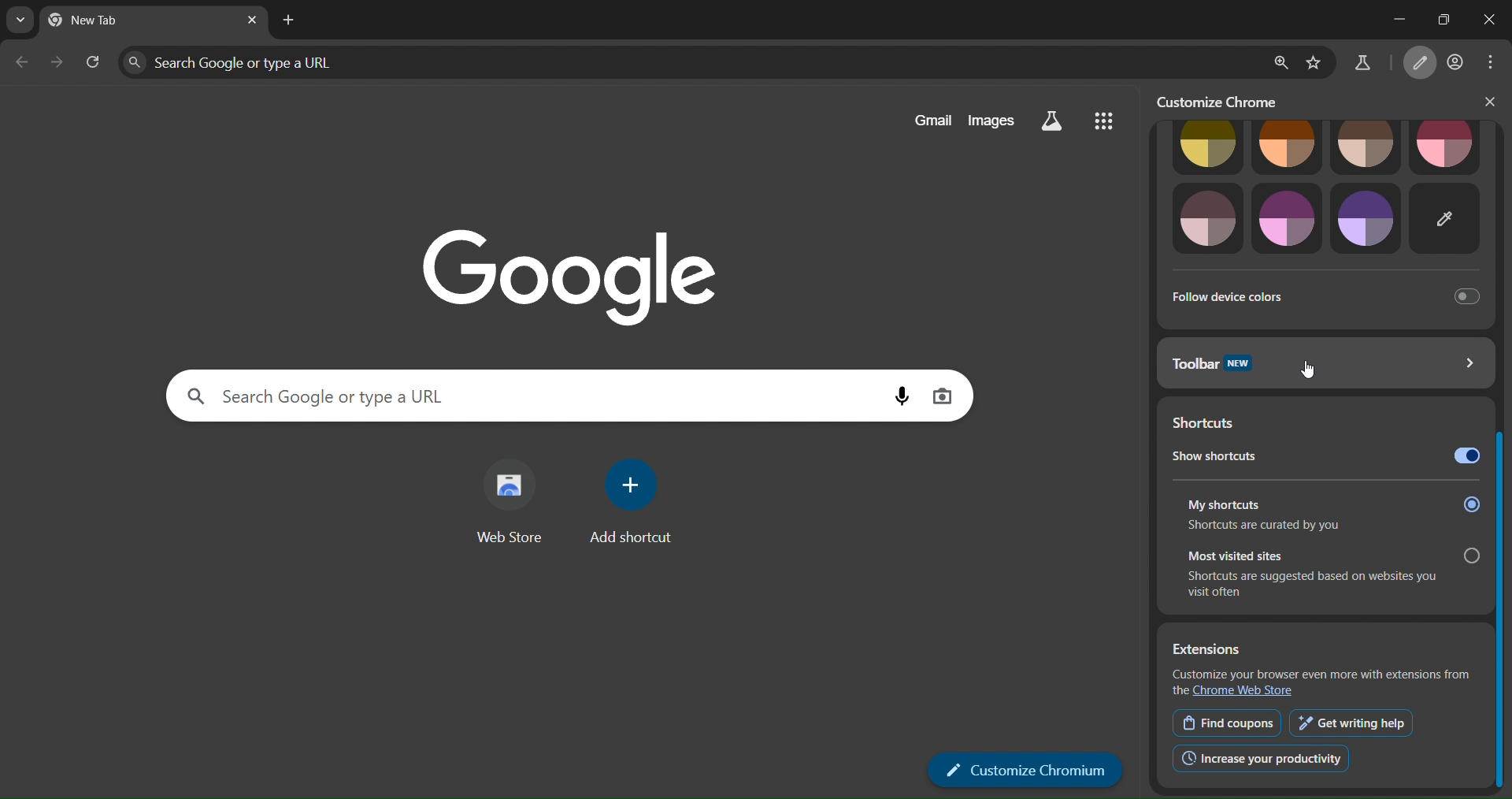 The width and height of the screenshot is (1512, 799). Describe the element at coordinates (1053, 121) in the screenshot. I see `search labs` at that location.